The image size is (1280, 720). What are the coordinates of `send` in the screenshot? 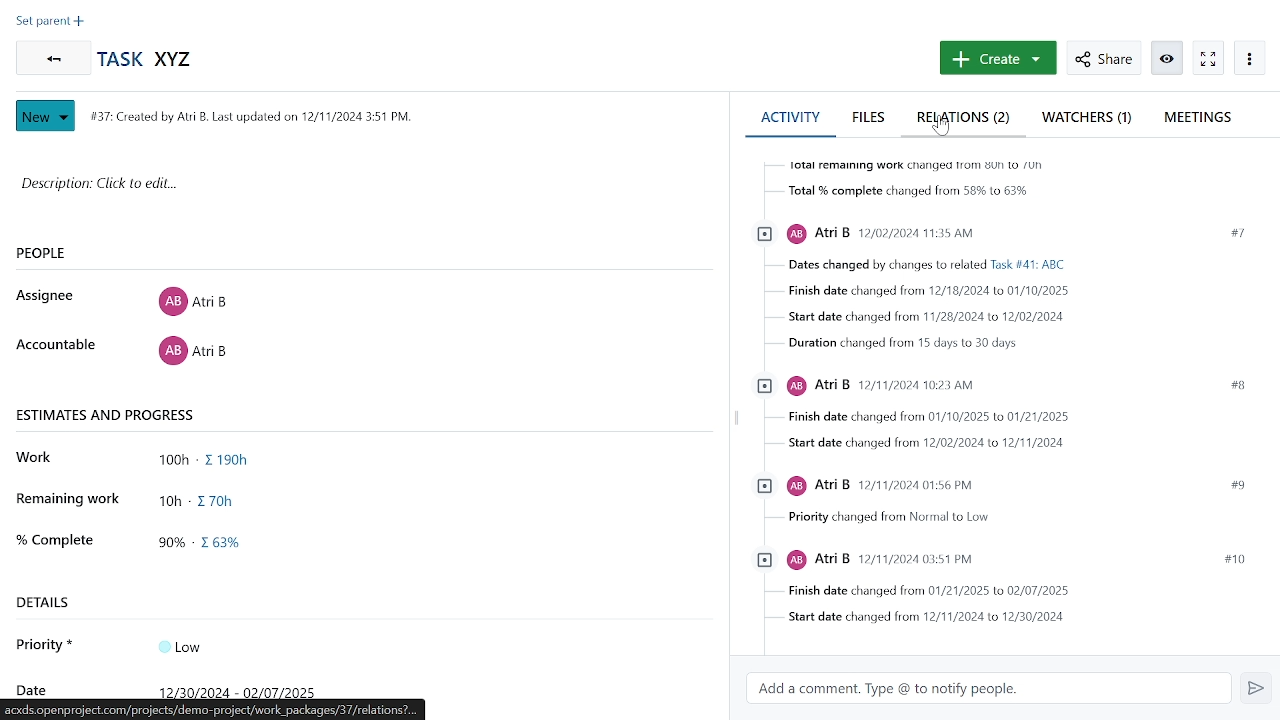 It's located at (1255, 689).